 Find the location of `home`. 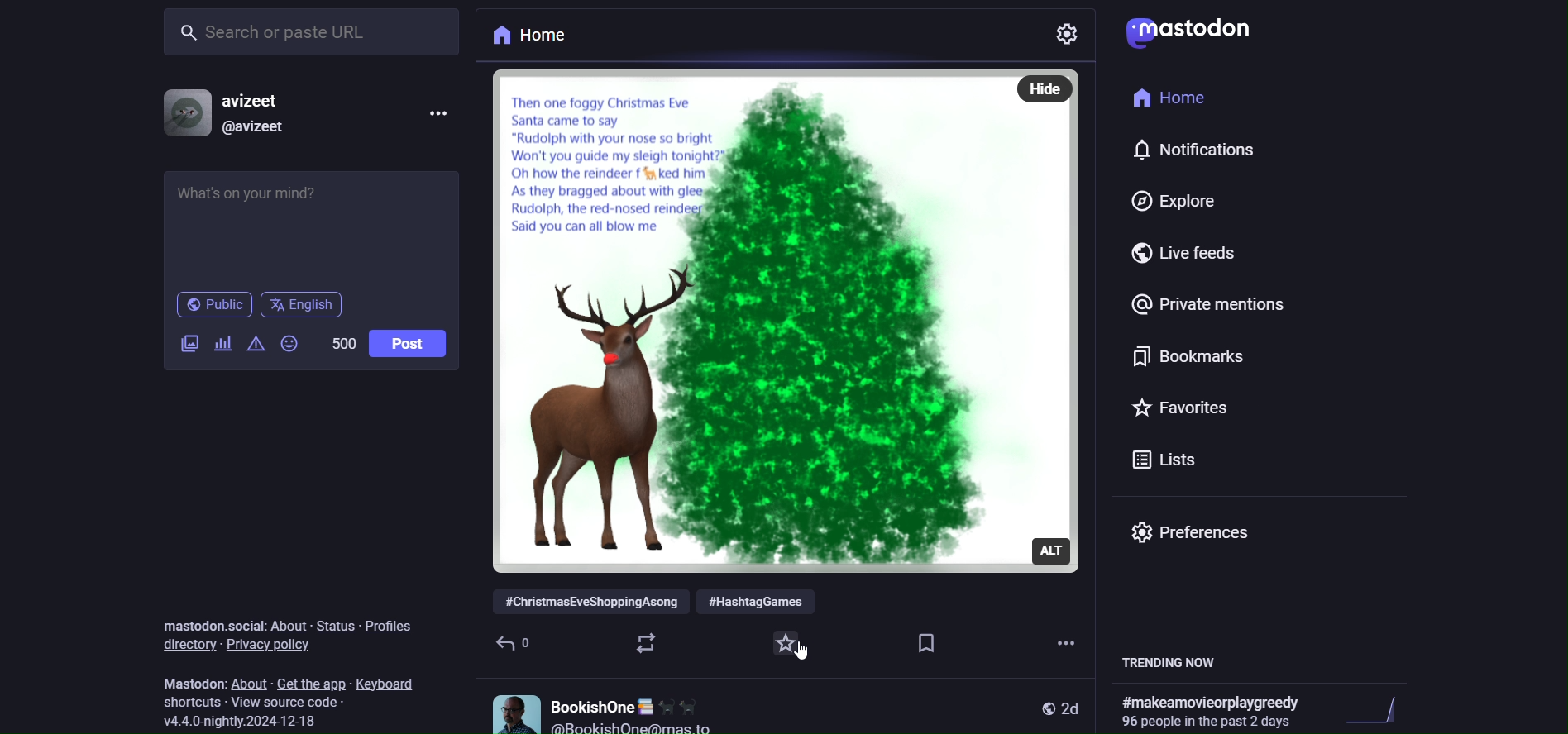

home is located at coordinates (528, 38).